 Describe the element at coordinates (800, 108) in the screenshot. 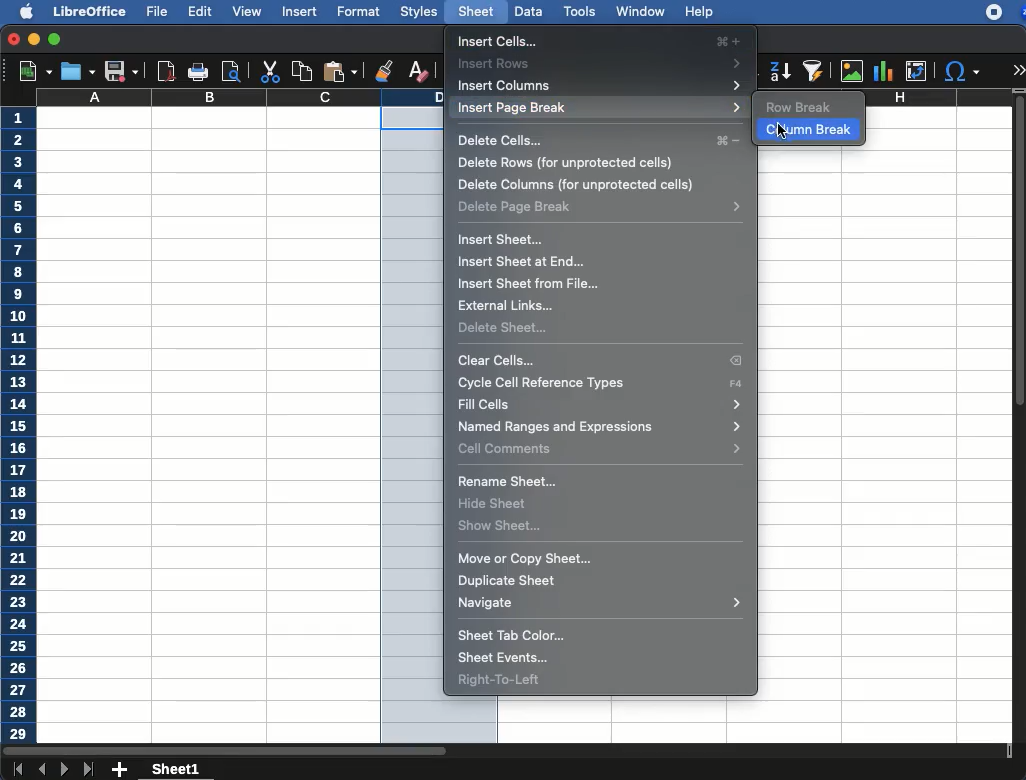

I see `row break` at that location.